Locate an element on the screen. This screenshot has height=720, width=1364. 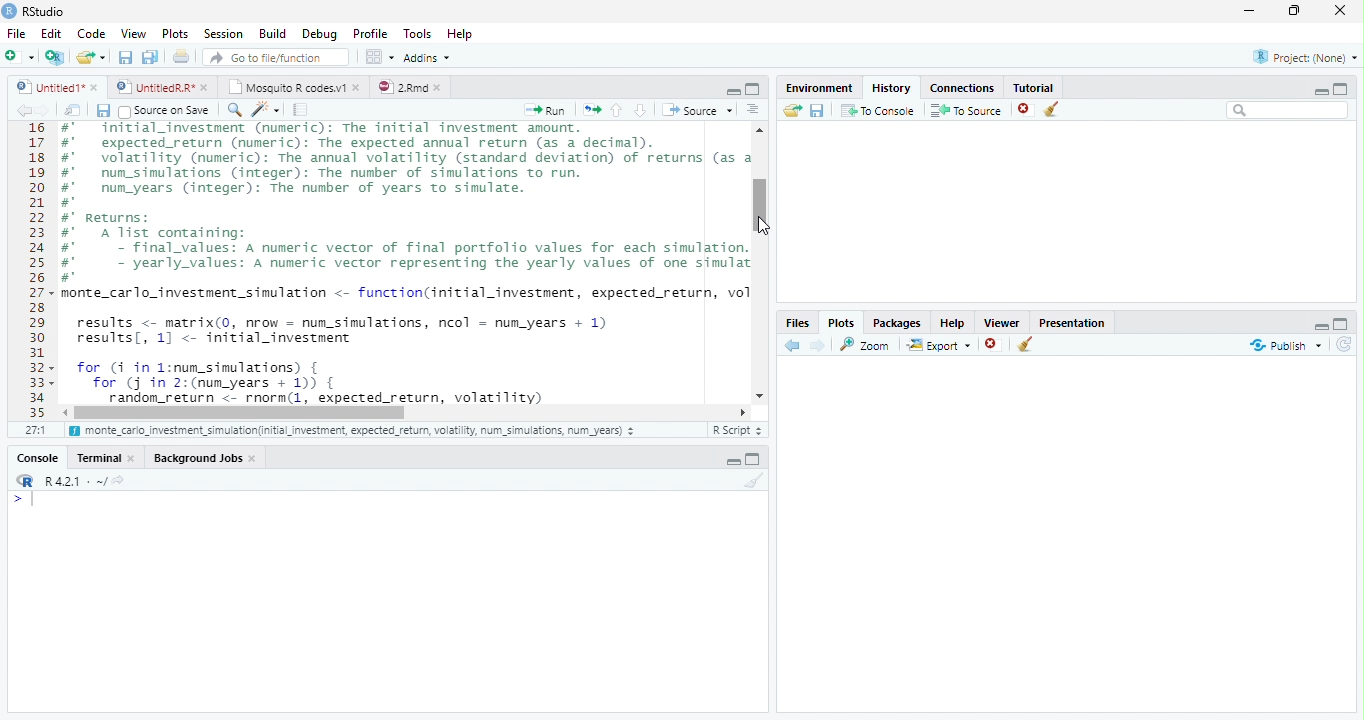
Plots is located at coordinates (174, 34).